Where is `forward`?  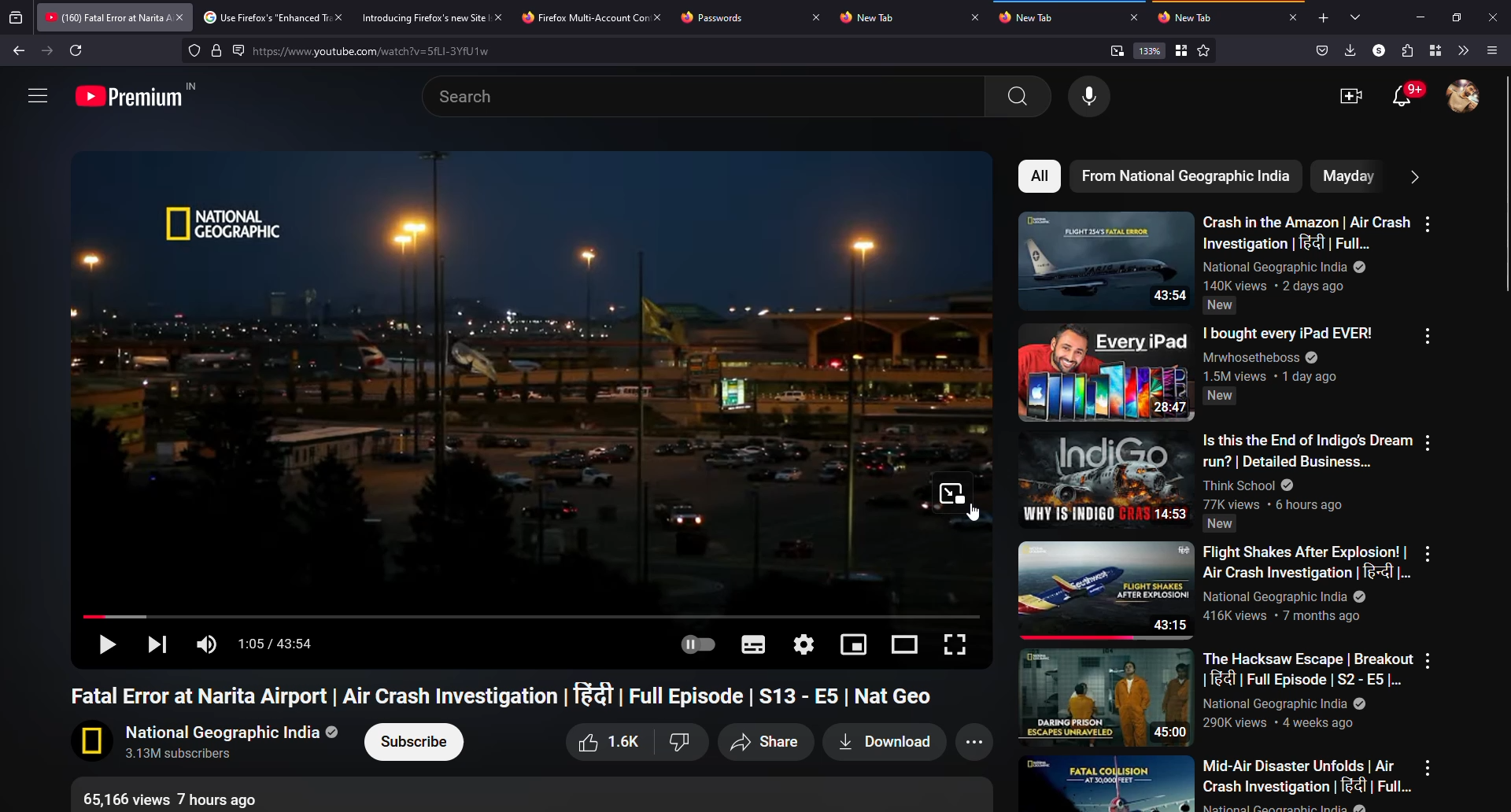 forward is located at coordinates (46, 50).